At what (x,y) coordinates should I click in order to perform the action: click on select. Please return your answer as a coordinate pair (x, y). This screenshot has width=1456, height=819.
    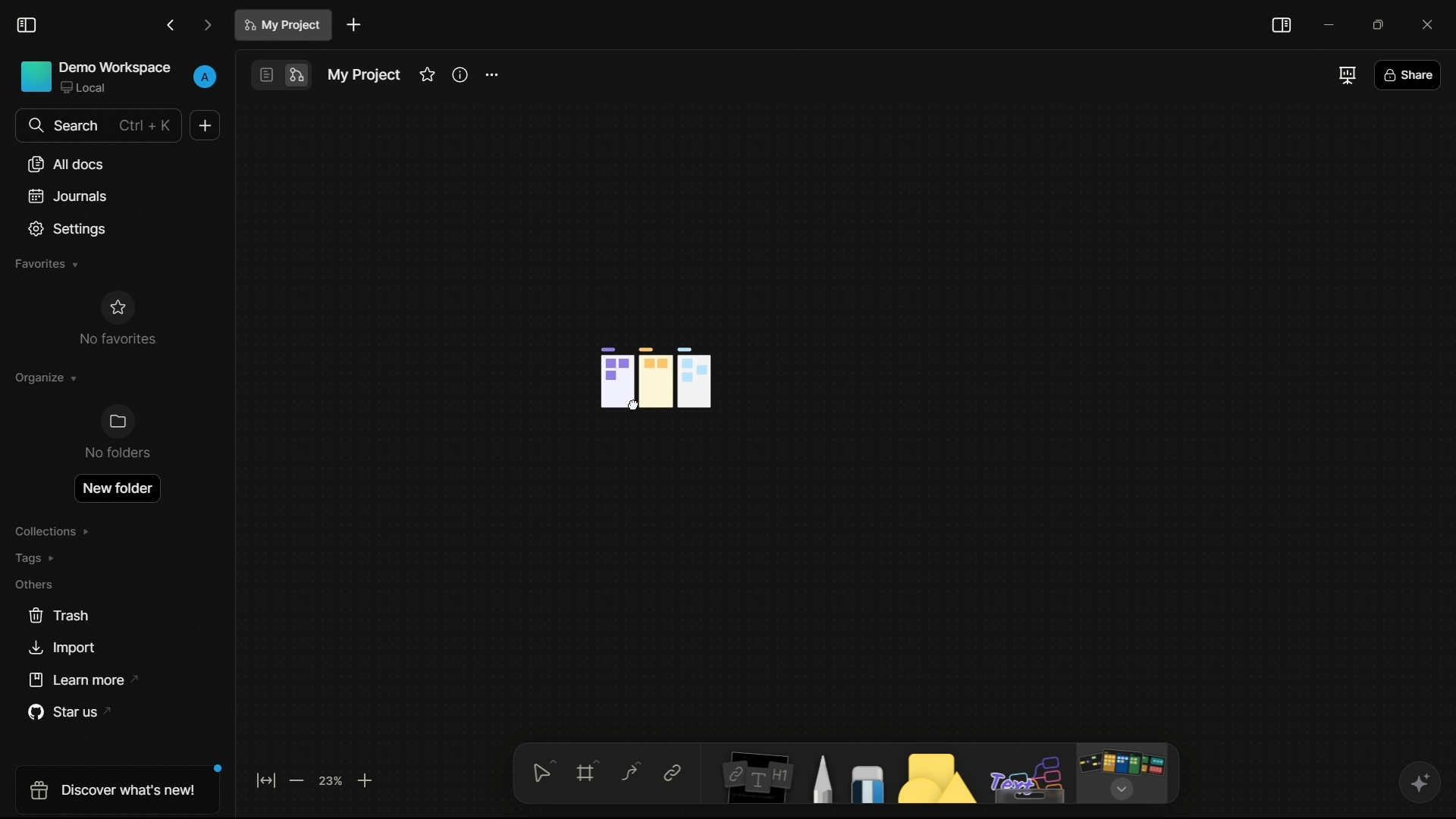
    Looking at the image, I should click on (541, 770).